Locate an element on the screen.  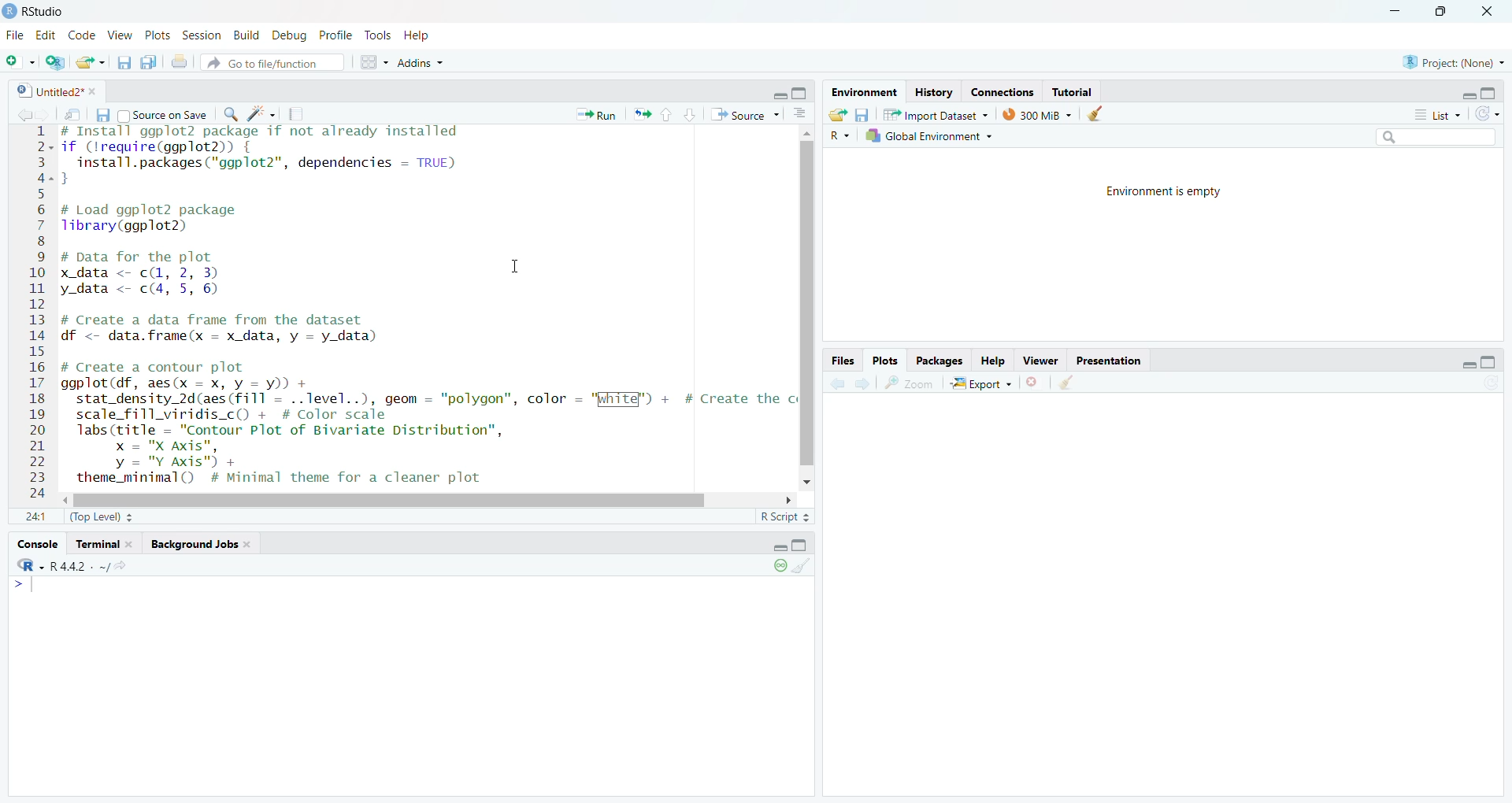
go to previous section/chunk is located at coordinates (665, 114).